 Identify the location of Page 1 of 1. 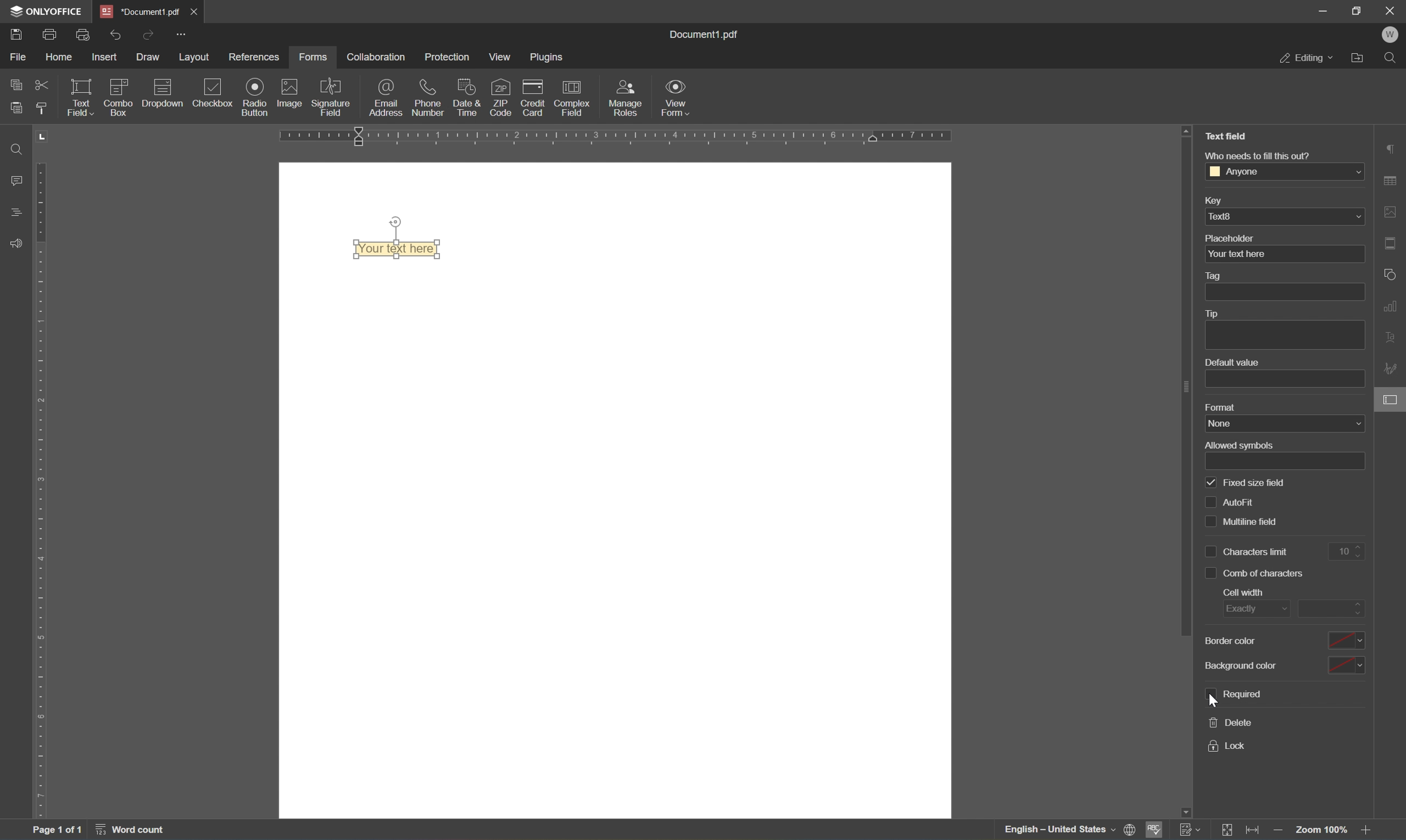
(57, 832).